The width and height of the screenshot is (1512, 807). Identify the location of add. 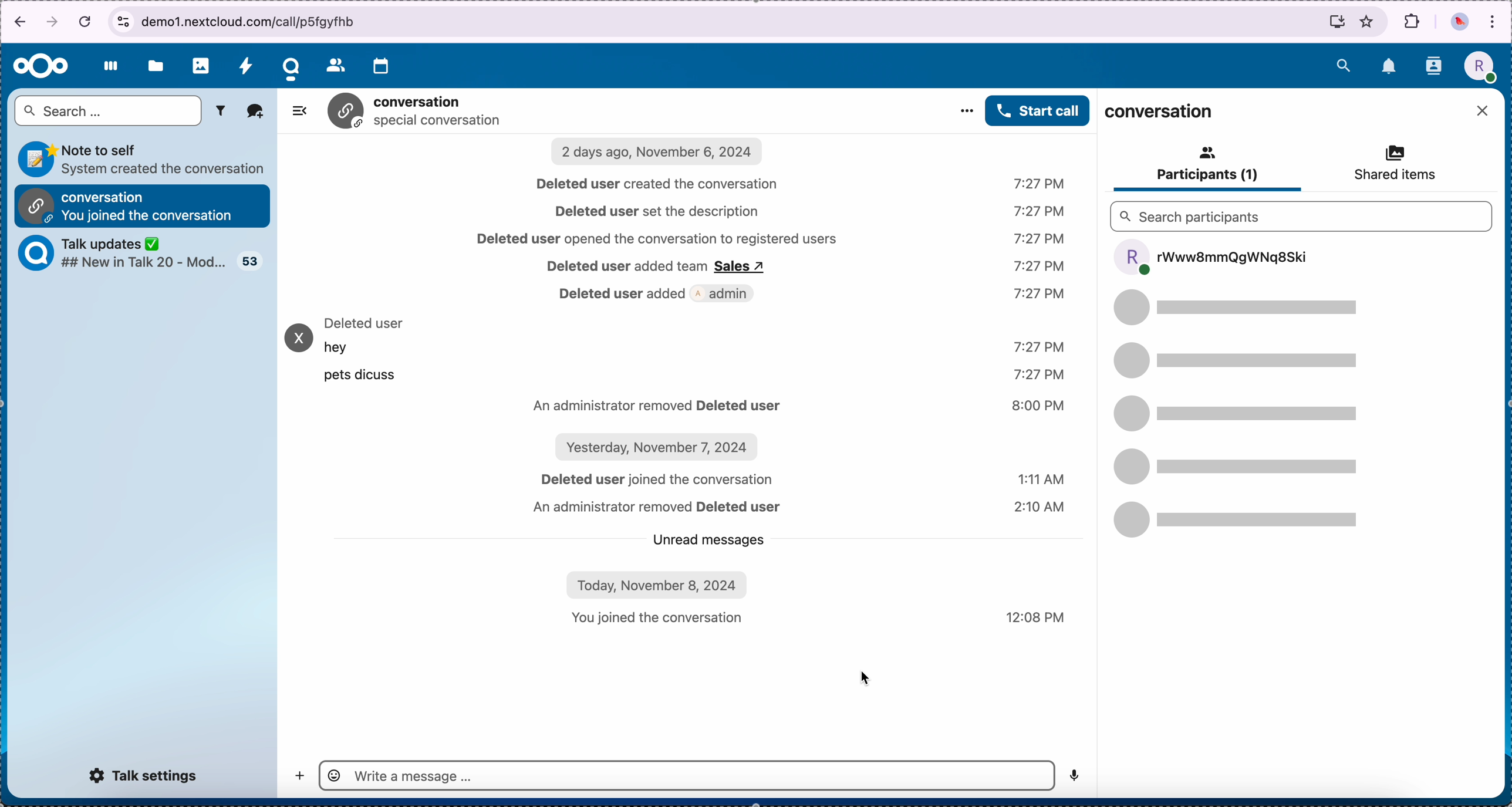
(254, 111).